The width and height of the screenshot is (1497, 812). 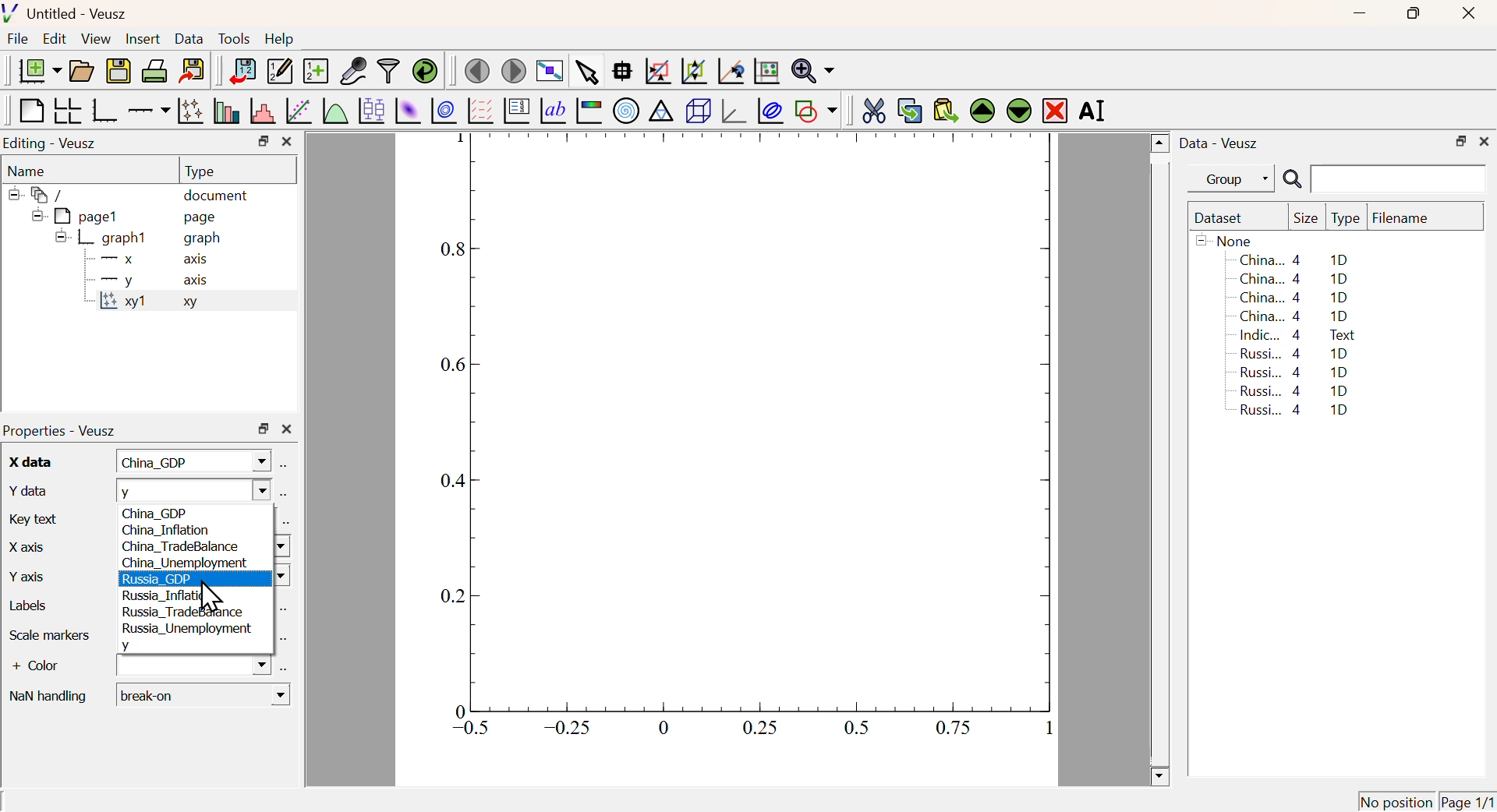 What do you see at coordinates (946, 110) in the screenshot?
I see `Paste from Clipboard` at bounding box center [946, 110].